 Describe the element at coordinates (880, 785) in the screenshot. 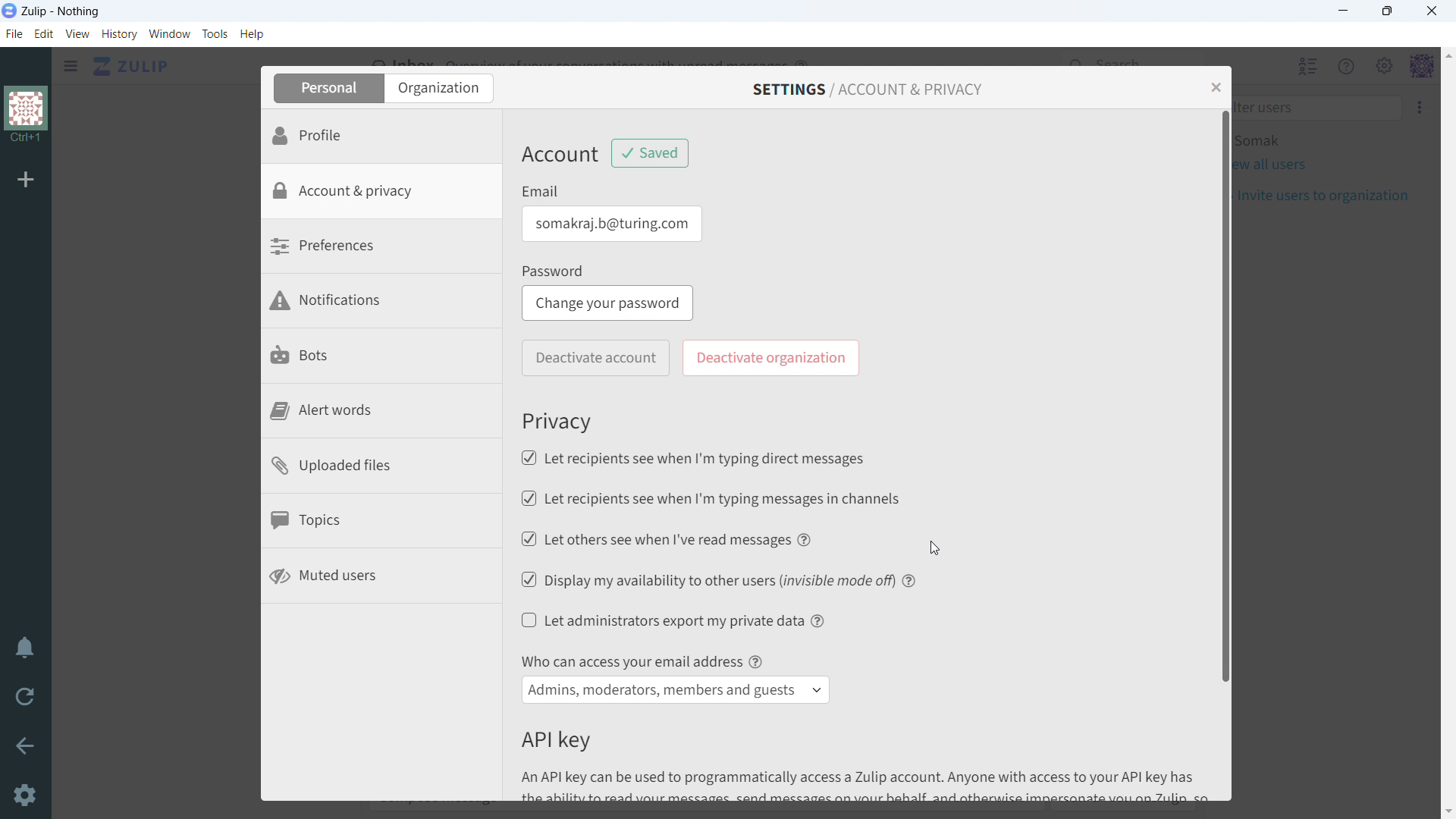

I see `An API key can be used to programmatically access a Zulip account. Anyone with access to your API key has` at that location.